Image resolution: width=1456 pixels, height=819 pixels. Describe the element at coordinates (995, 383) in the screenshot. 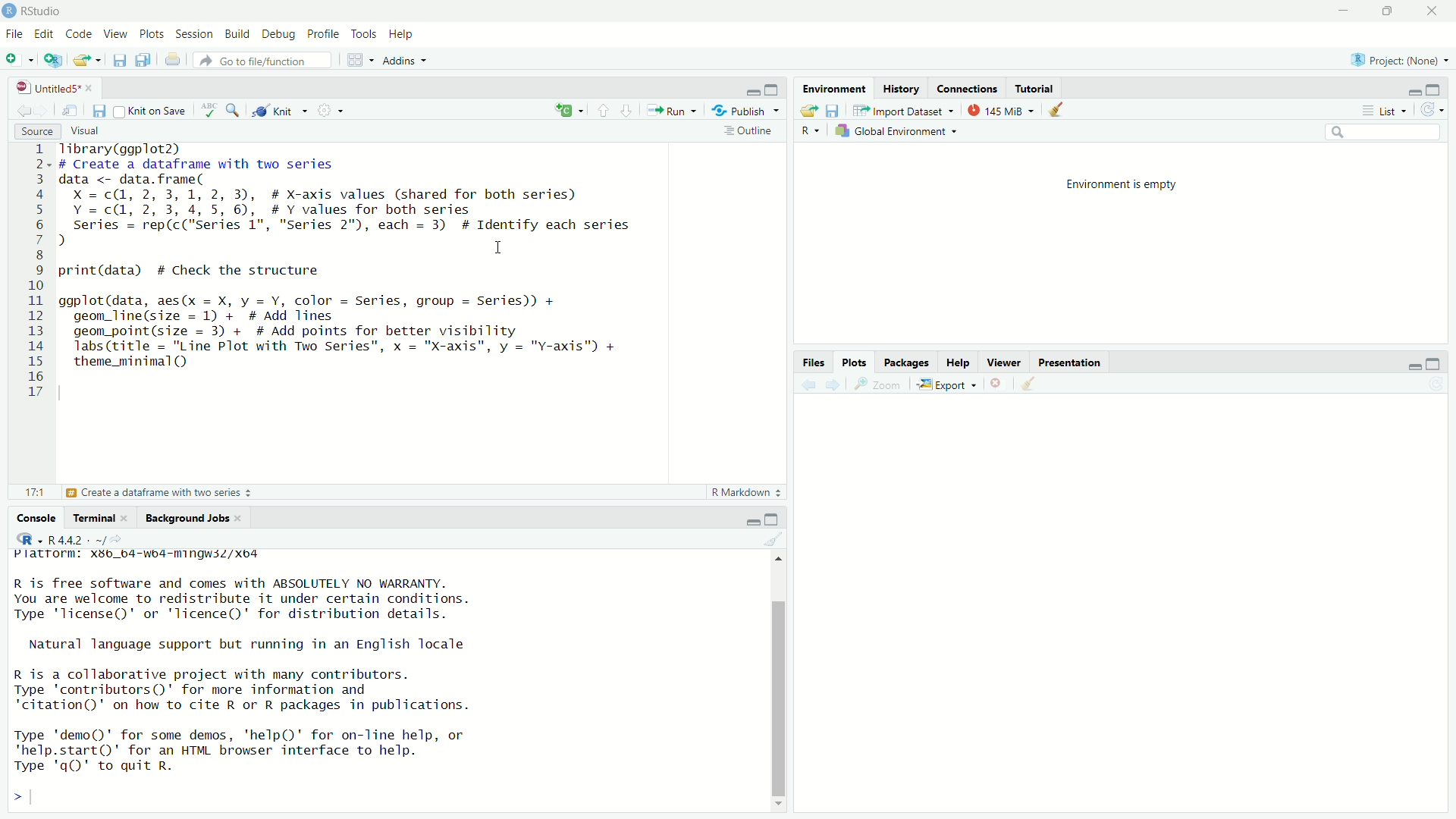

I see `clear` at that location.